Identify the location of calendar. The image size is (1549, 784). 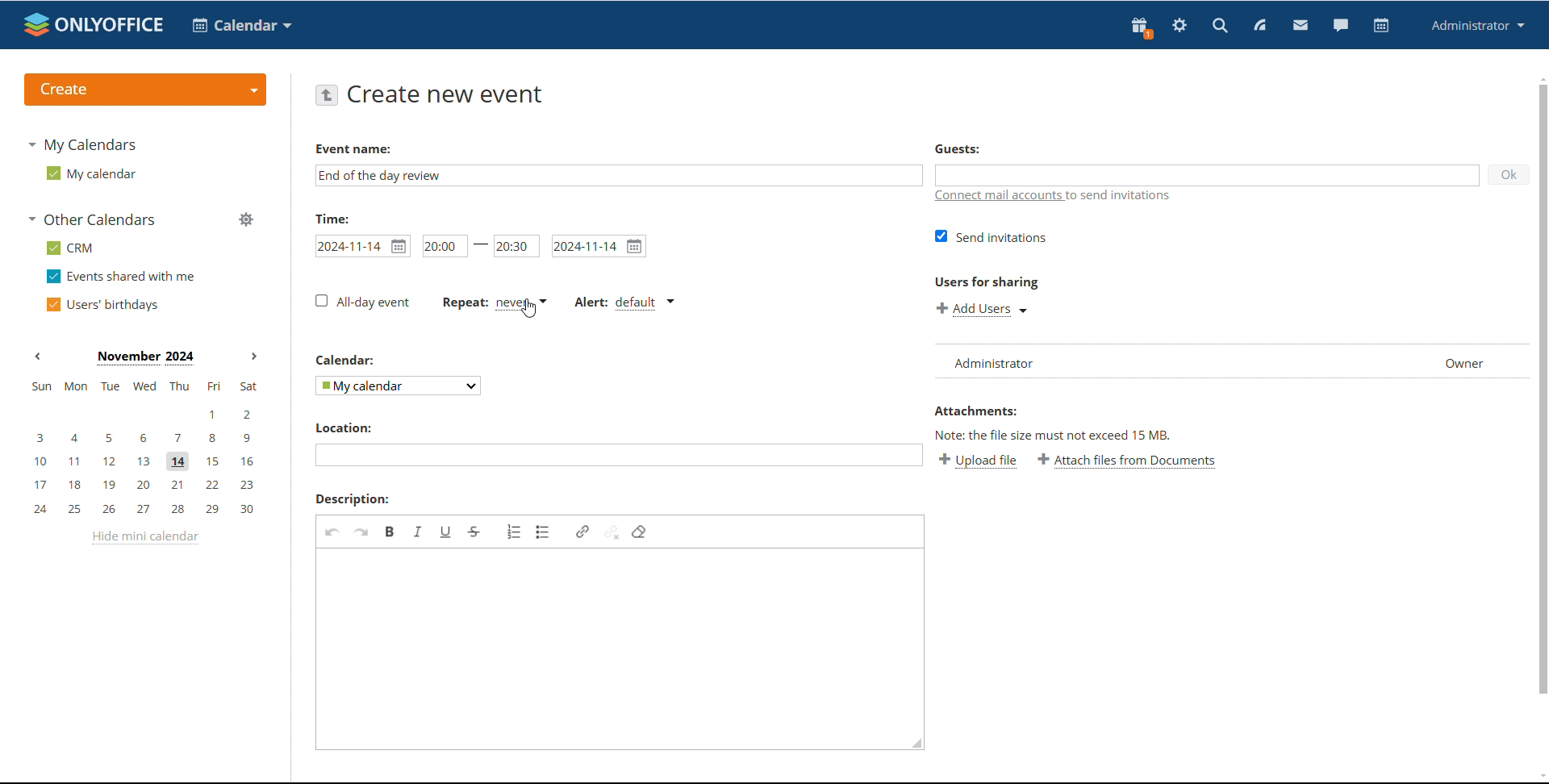
(242, 25).